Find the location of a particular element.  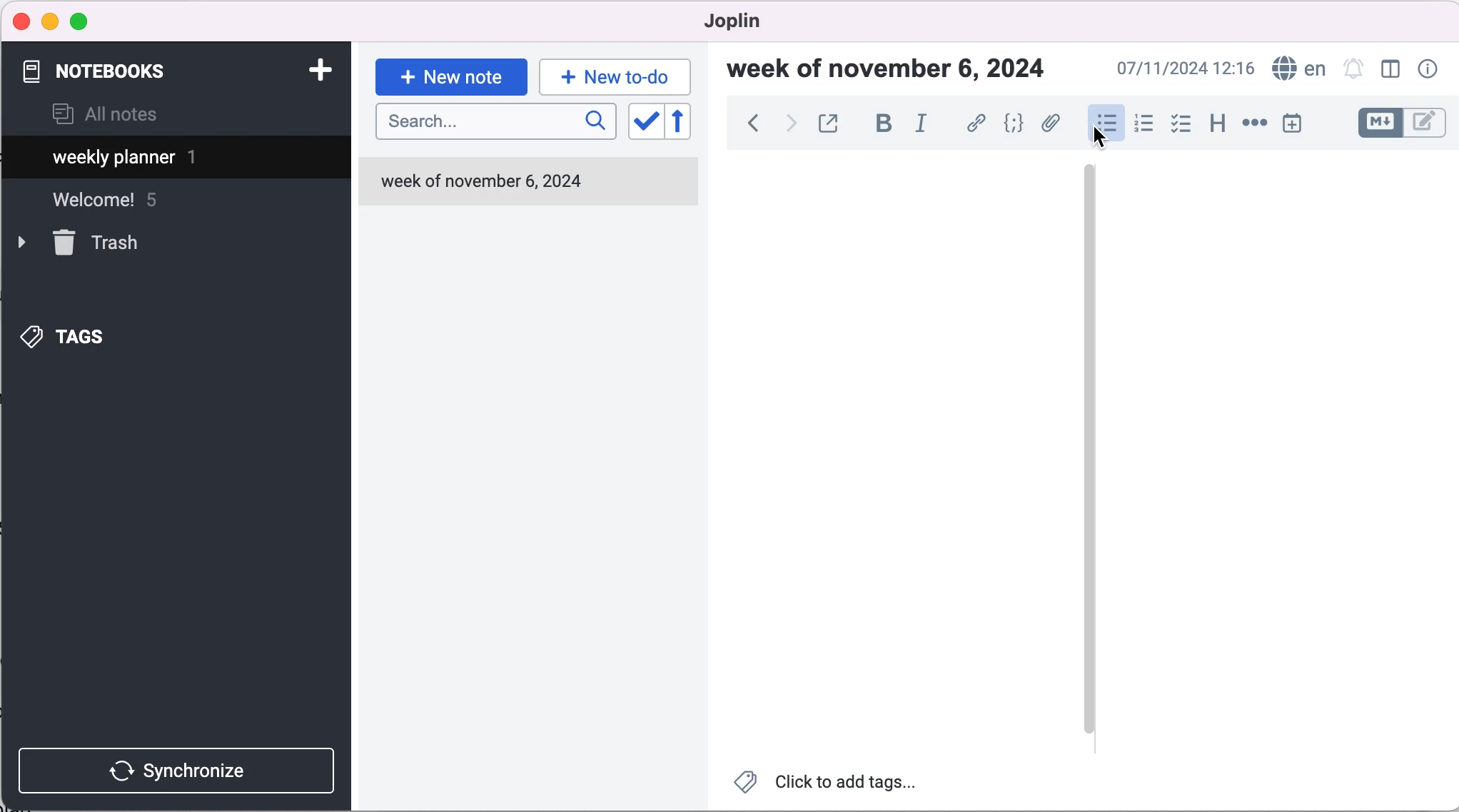

italic is located at coordinates (927, 123).